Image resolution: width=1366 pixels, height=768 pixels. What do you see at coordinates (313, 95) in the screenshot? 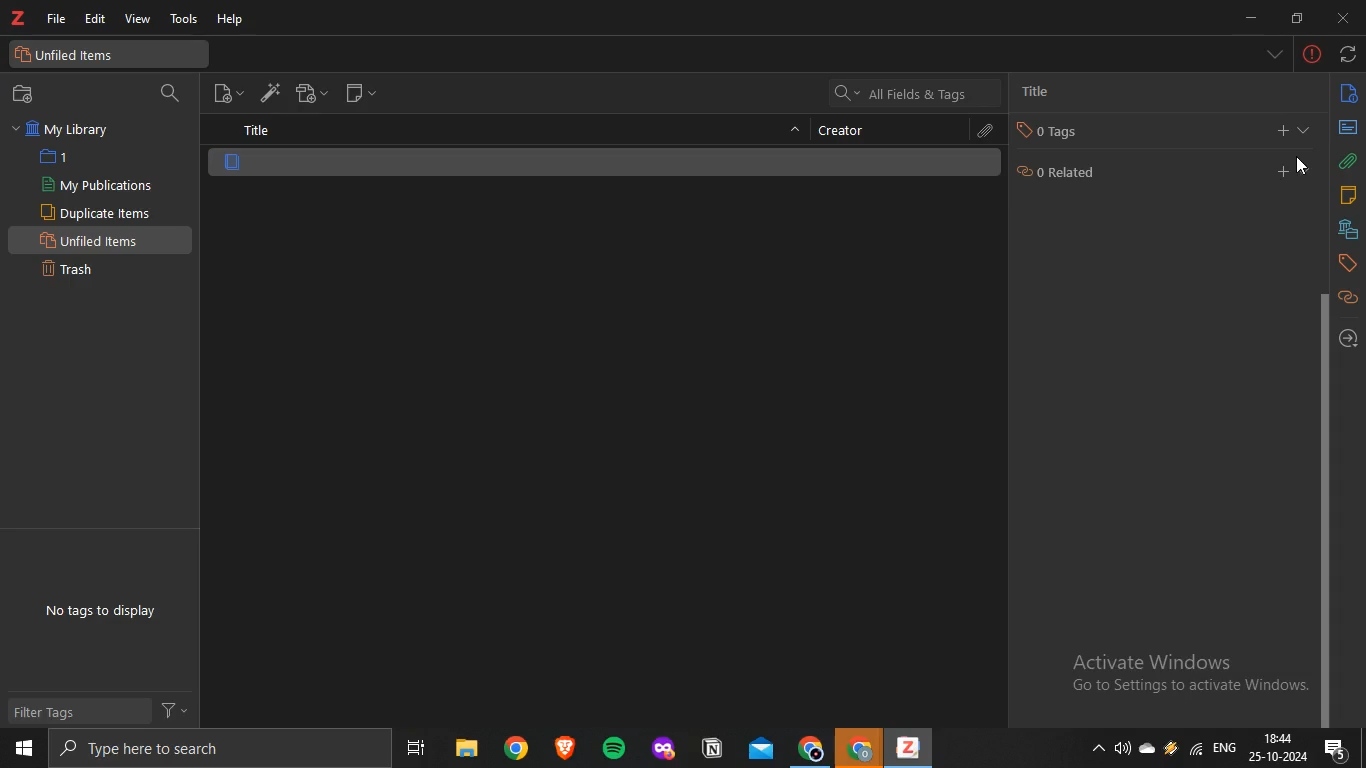
I see `new attachment` at bounding box center [313, 95].